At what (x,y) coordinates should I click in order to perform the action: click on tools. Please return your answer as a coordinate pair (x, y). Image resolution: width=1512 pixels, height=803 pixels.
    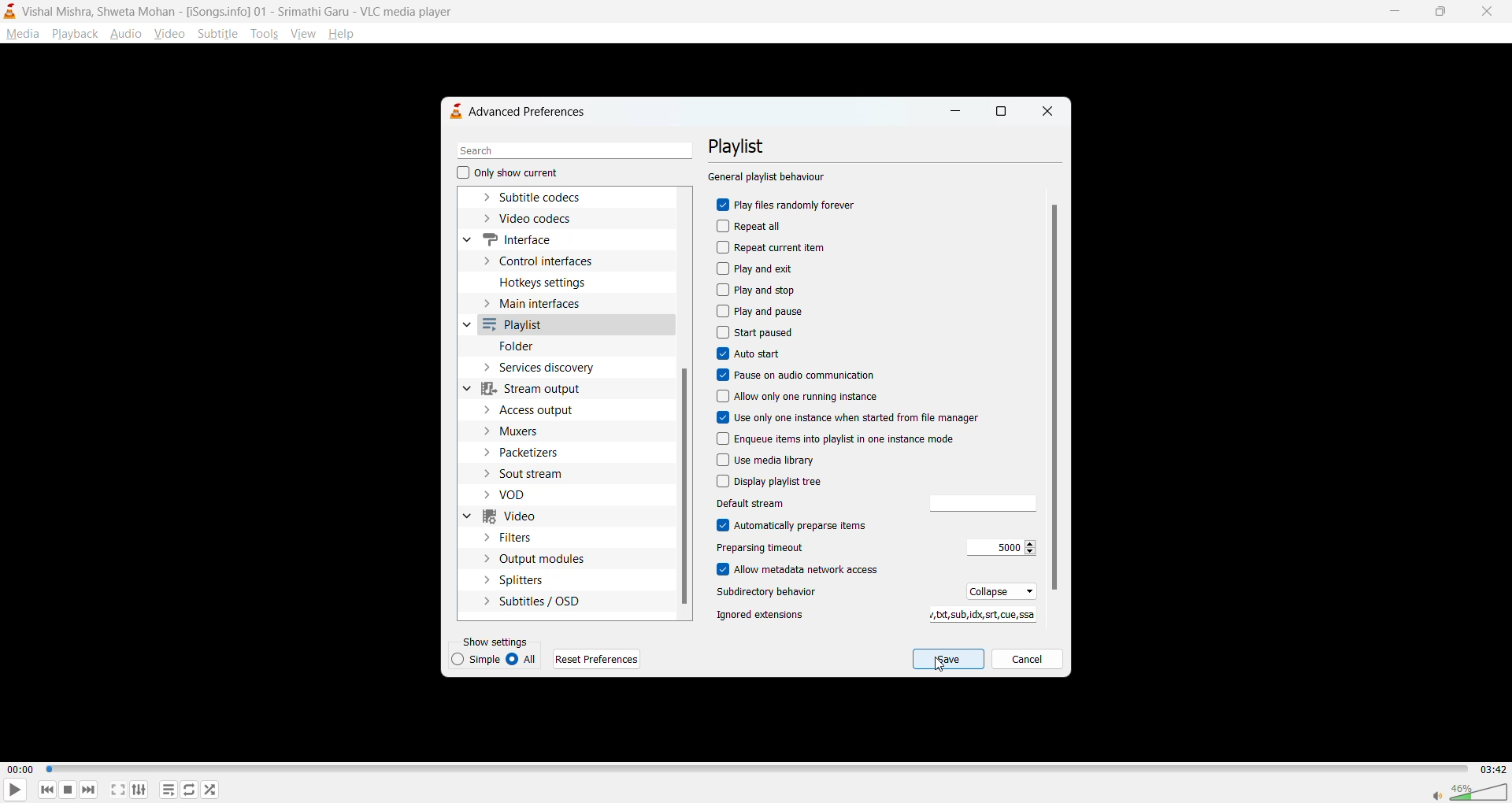
    Looking at the image, I should click on (263, 34).